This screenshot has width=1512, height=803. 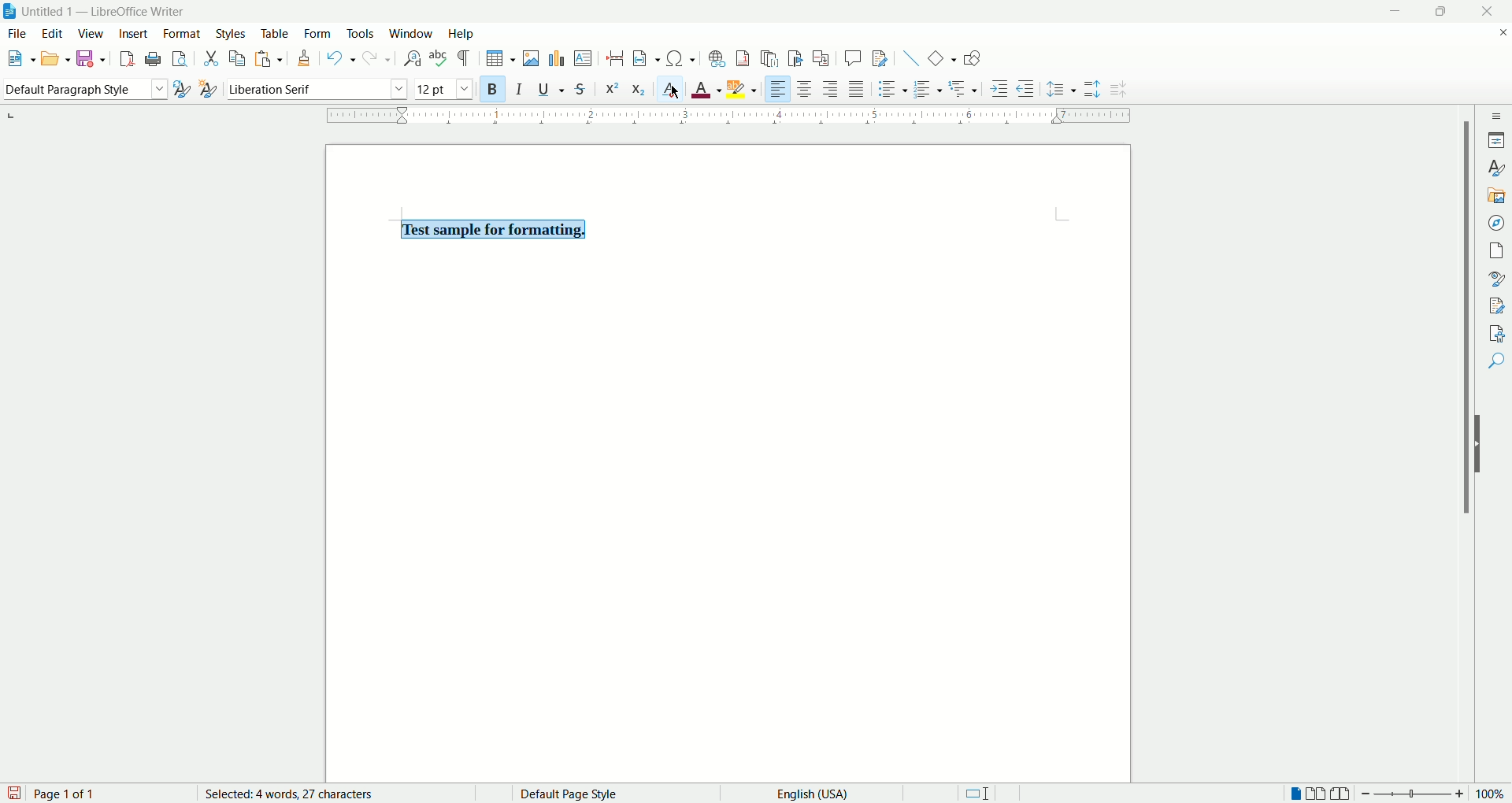 I want to click on redo, so click(x=376, y=58).